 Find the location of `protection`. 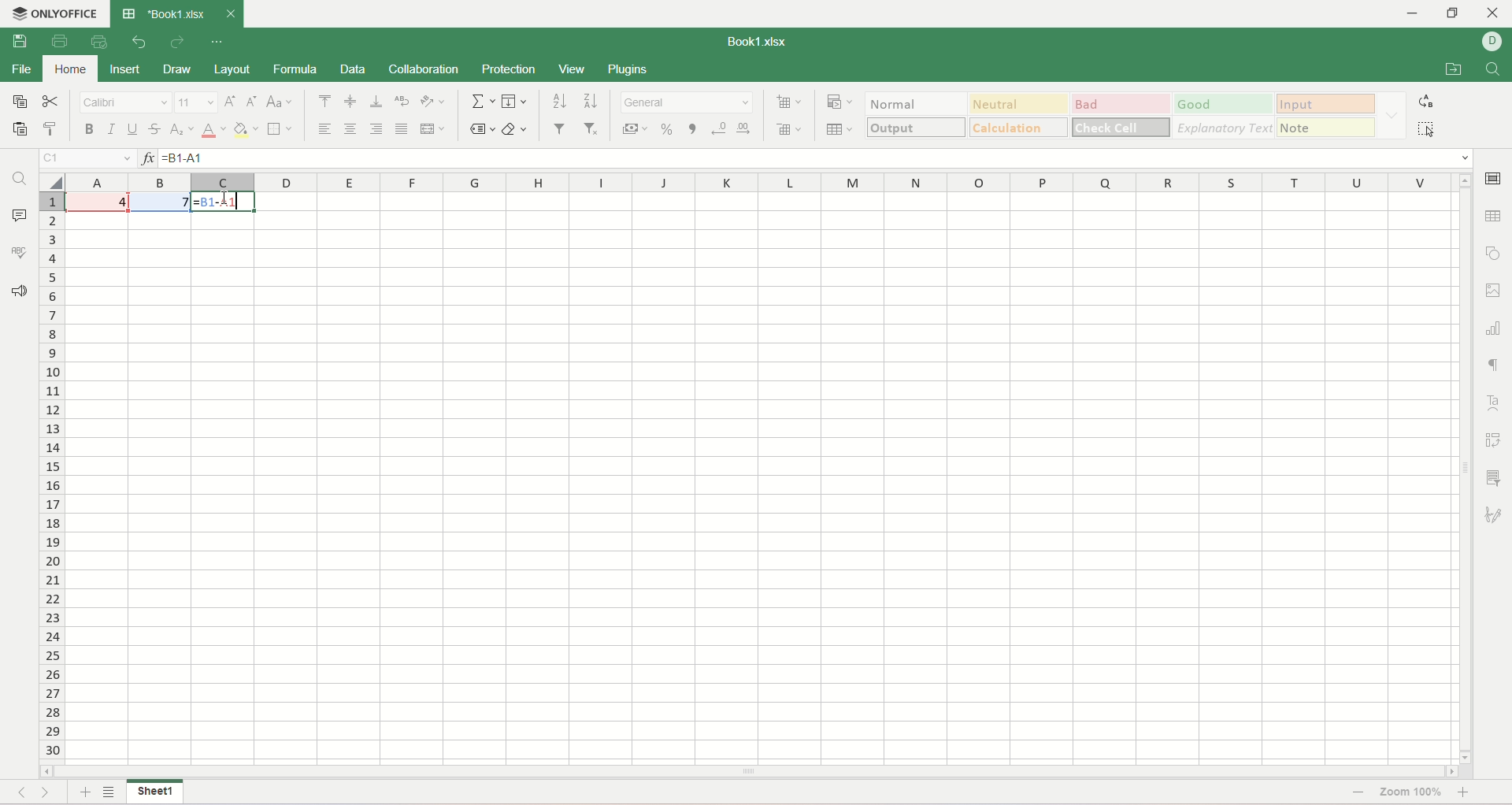

protection is located at coordinates (507, 69).